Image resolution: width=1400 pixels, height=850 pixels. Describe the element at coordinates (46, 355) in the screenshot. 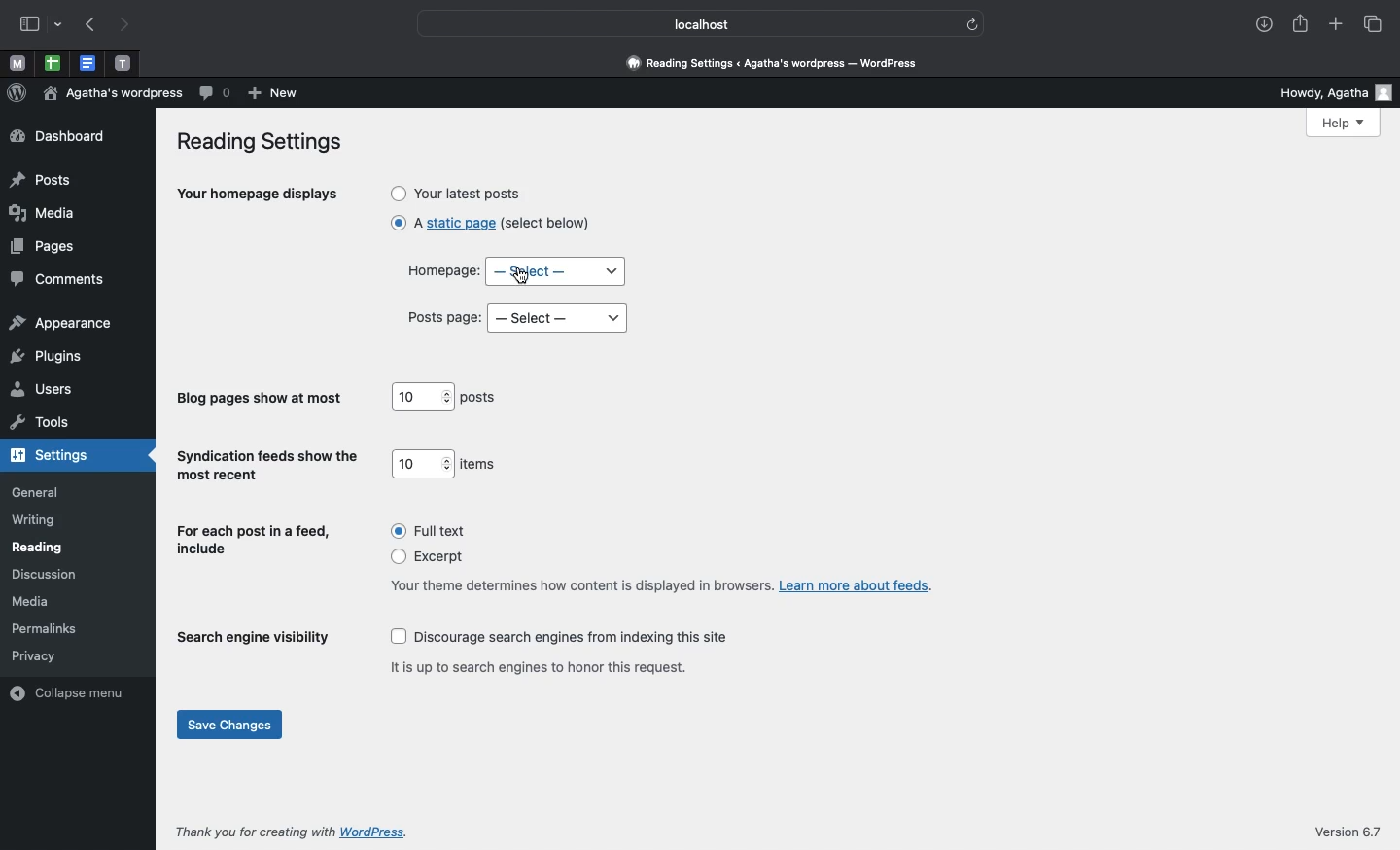

I see `plugins` at that location.